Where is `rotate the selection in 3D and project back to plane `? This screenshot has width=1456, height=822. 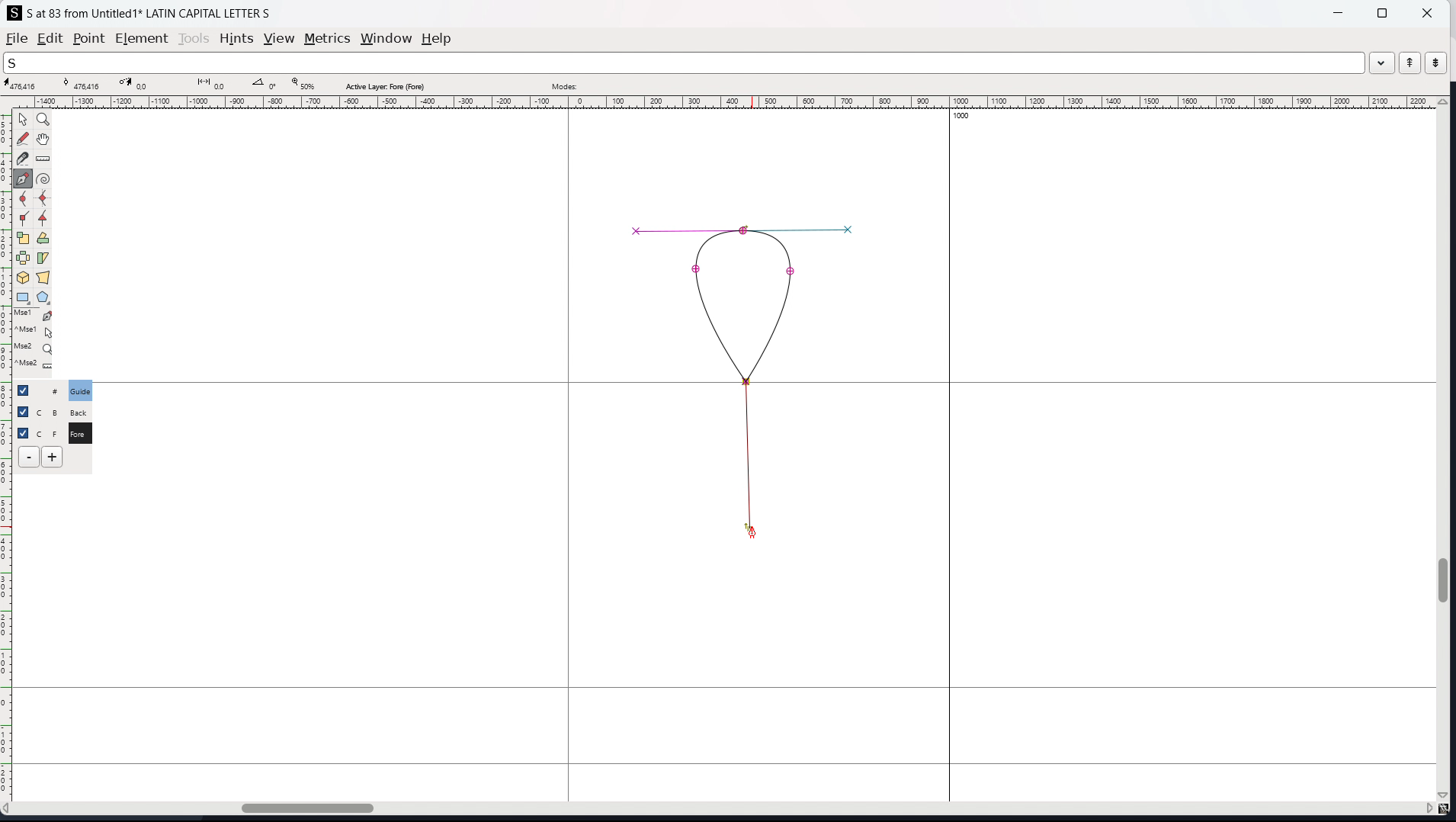
rotate the selection in 3D and project back to plane  is located at coordinates (23, 278).